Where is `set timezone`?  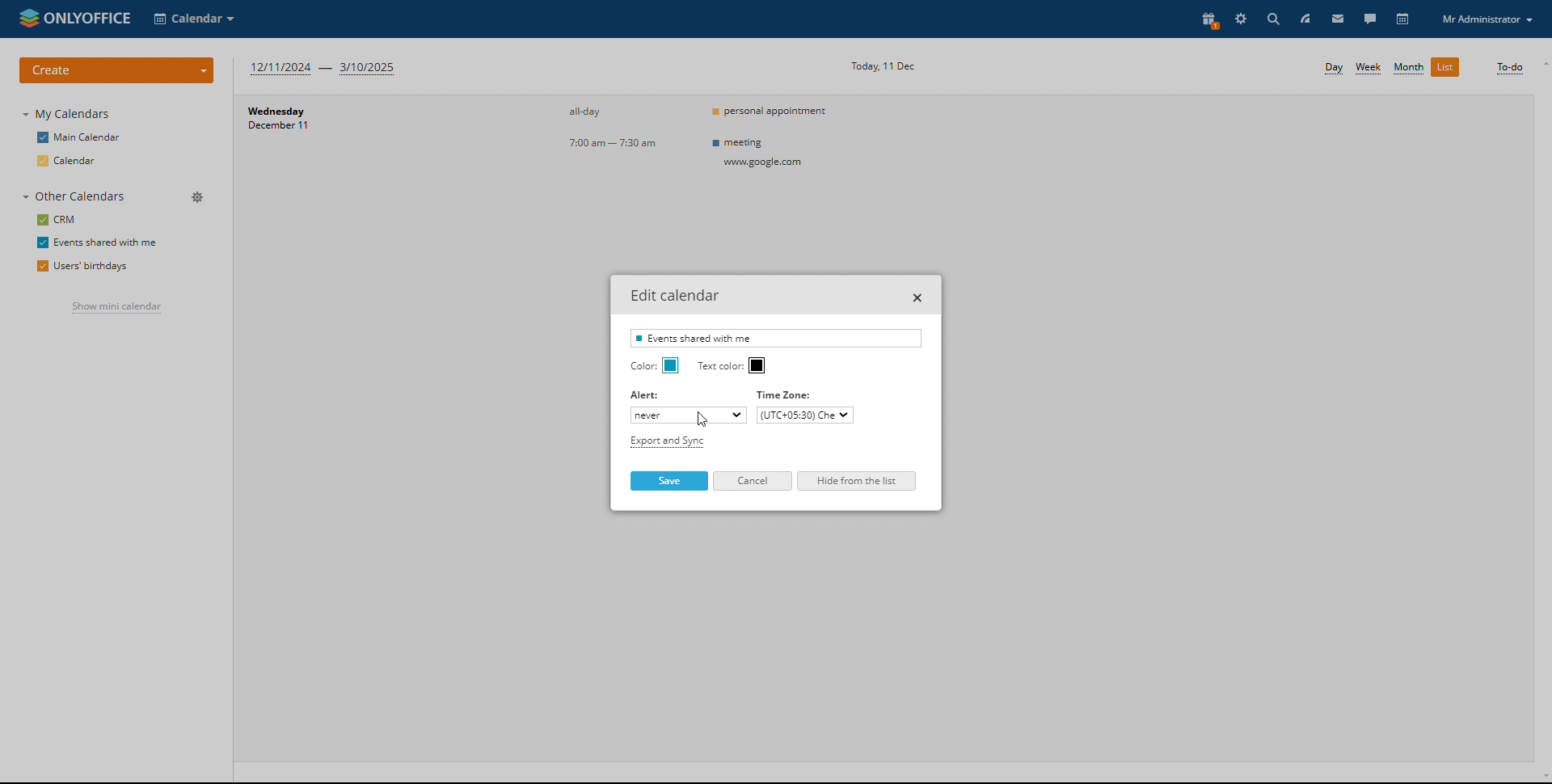 set timezone is located at coordinates (803, 415).